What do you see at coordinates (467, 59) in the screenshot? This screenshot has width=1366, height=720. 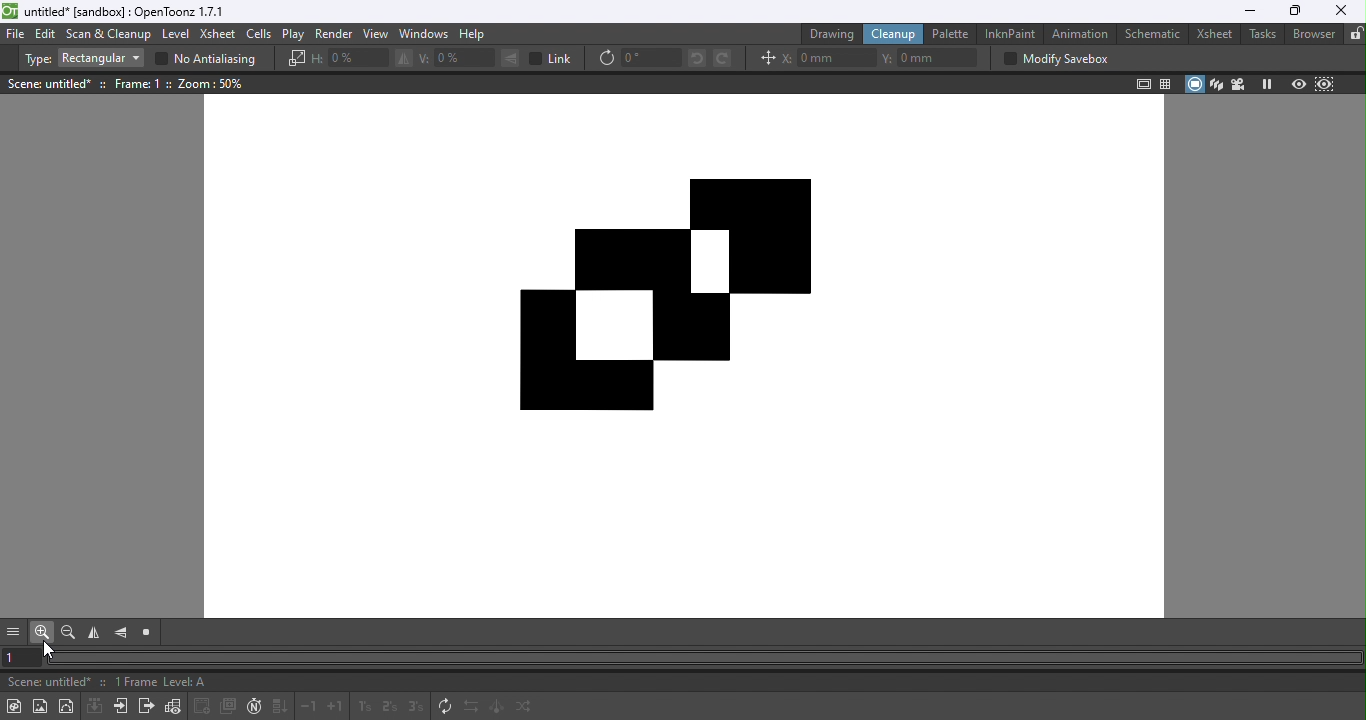 I see `Flip selection vertically` at bounding box center [467, 59].